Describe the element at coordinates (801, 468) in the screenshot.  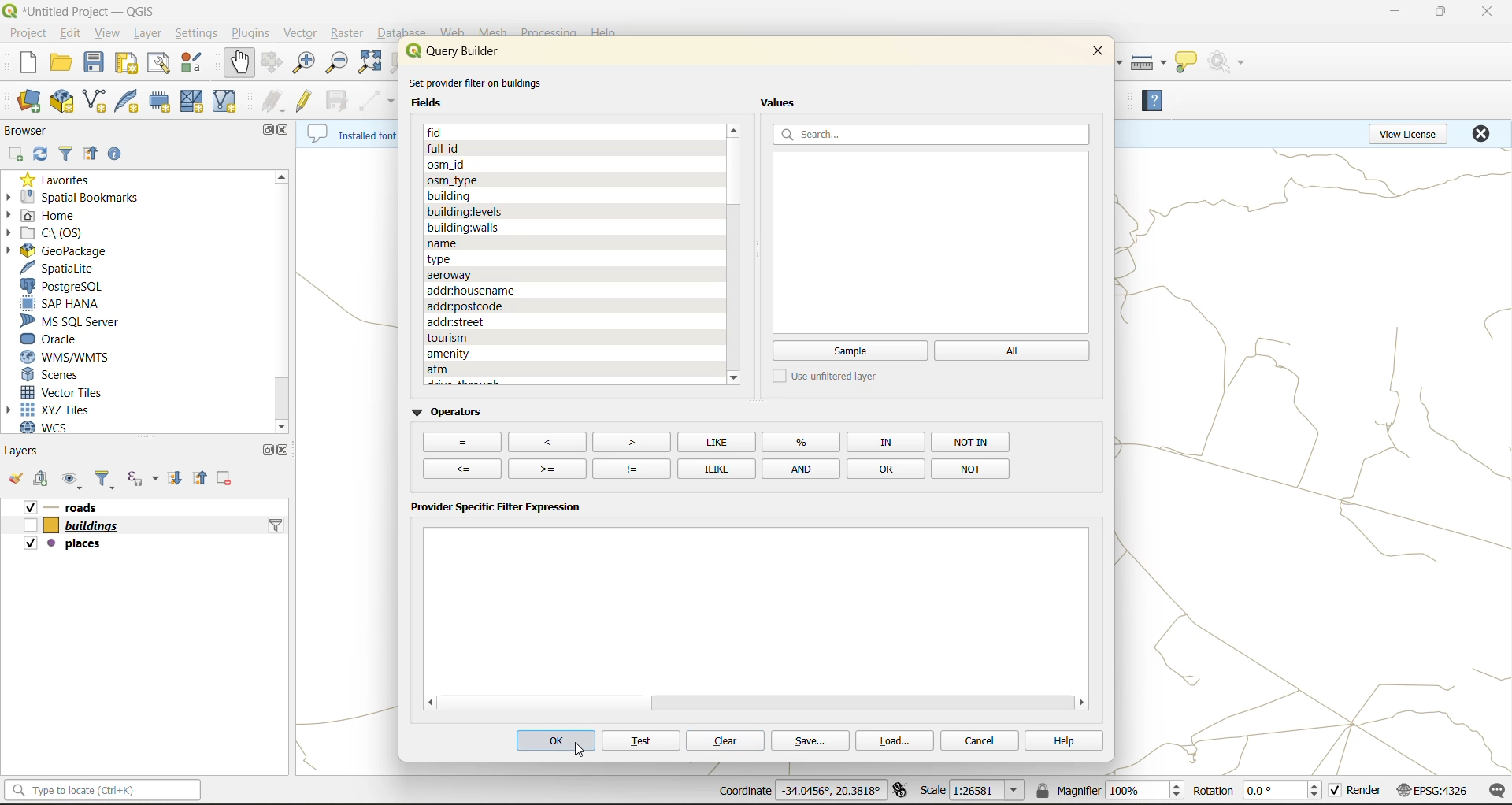
I see `opertators` at that location.